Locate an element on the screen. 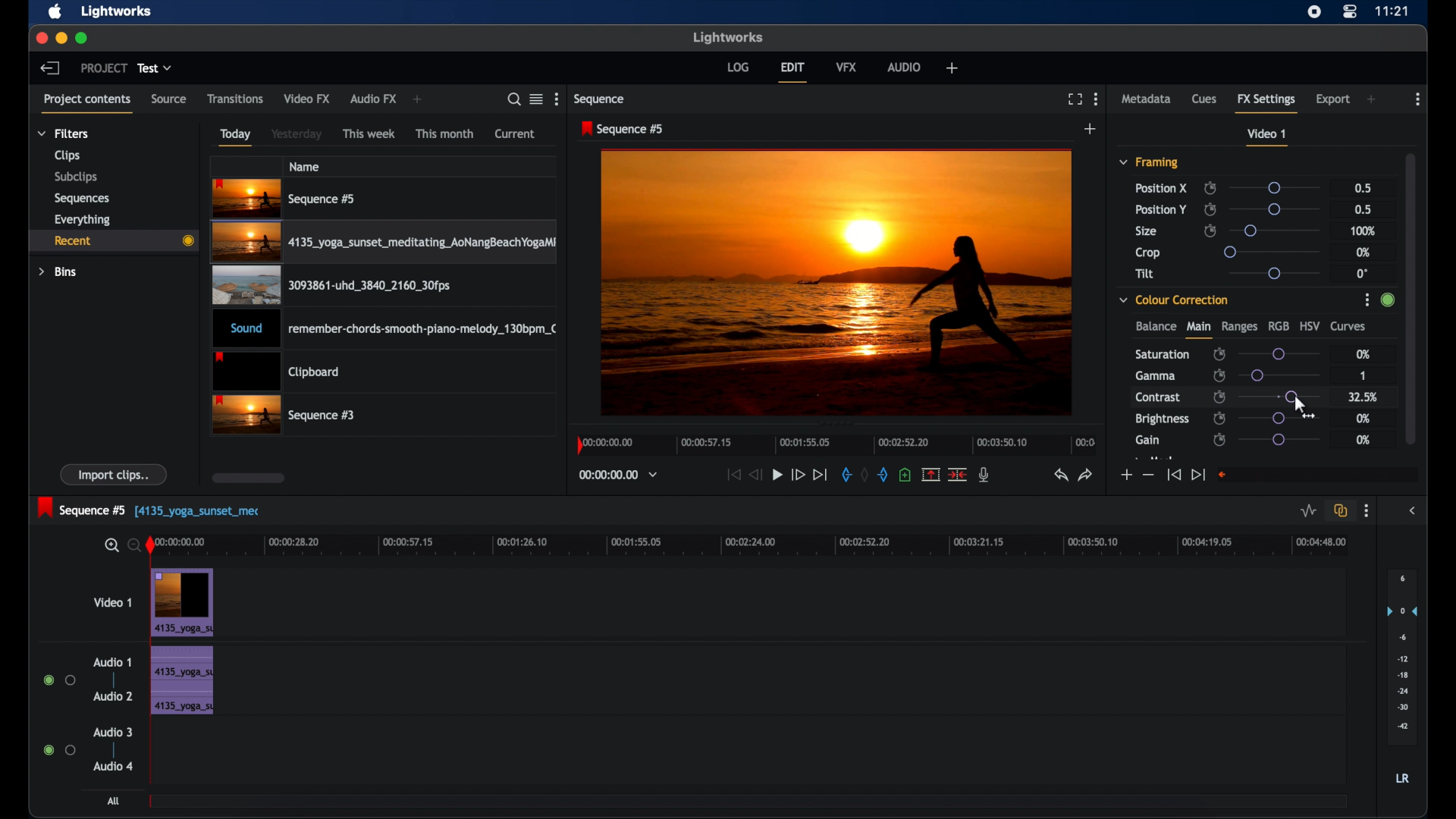  metadata is located at coordinates (1147, 98).